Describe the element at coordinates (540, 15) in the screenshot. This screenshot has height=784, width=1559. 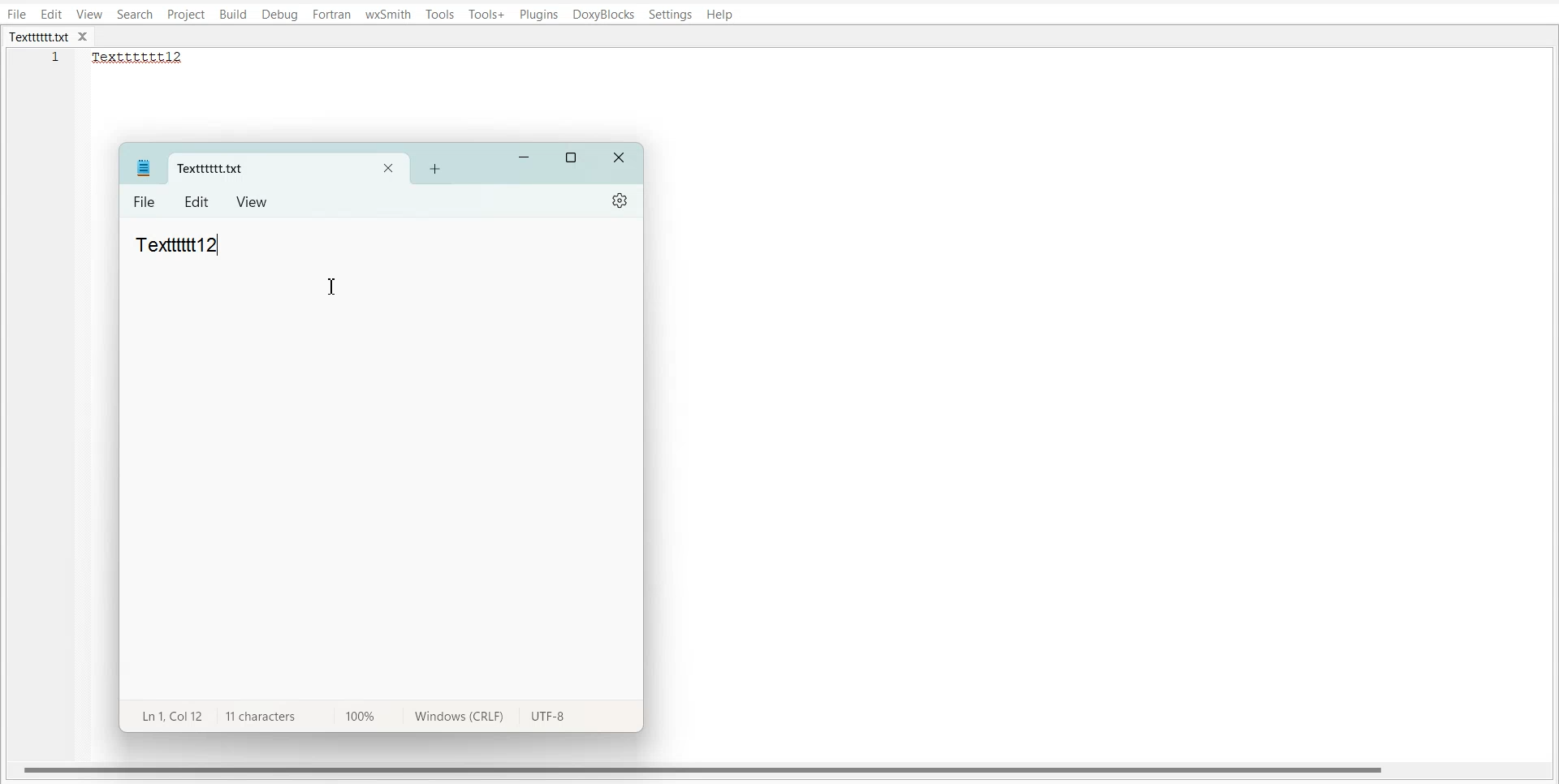
I see `Plugins` at that location.